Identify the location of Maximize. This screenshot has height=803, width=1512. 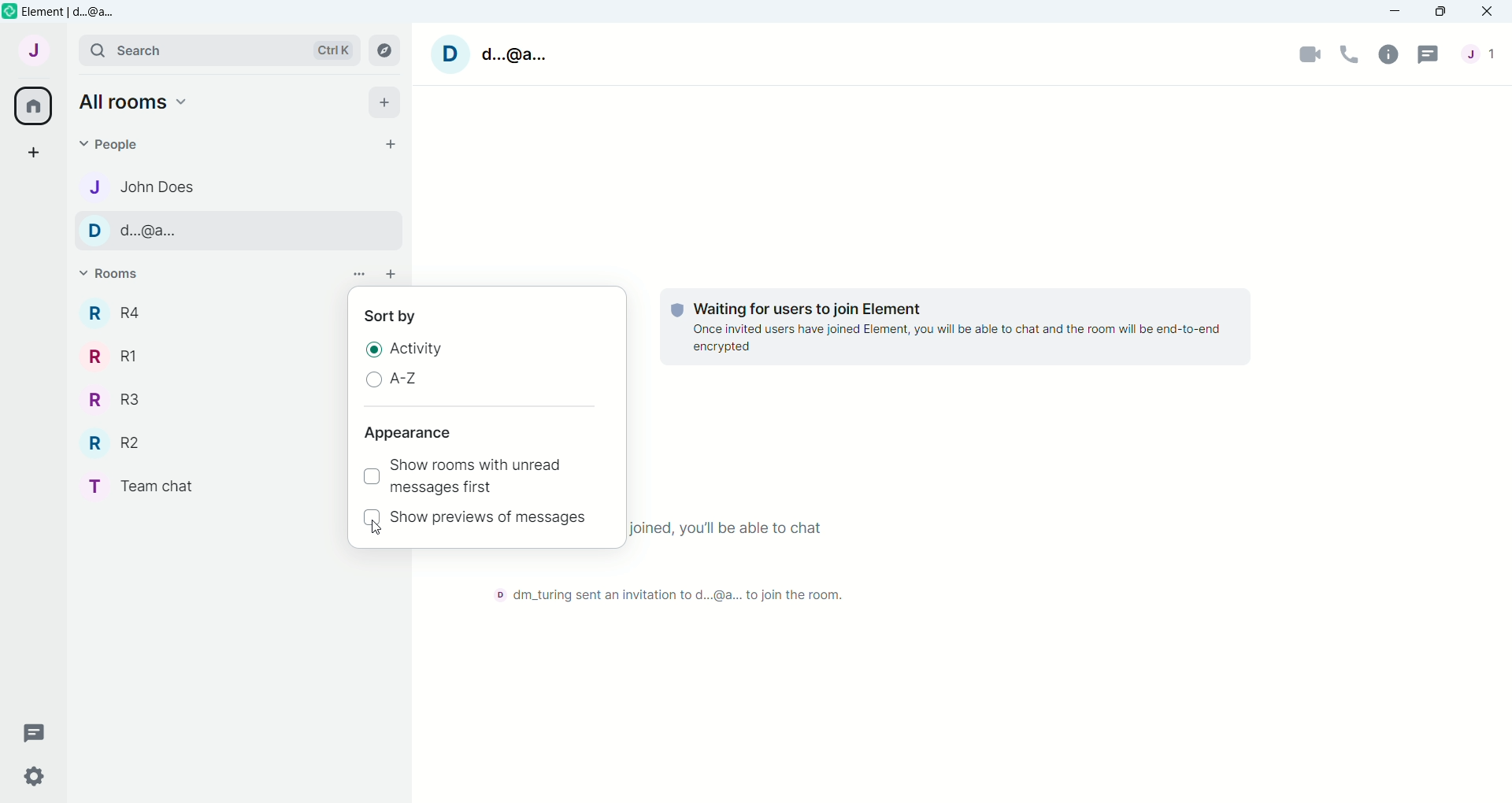
(1438, 11).